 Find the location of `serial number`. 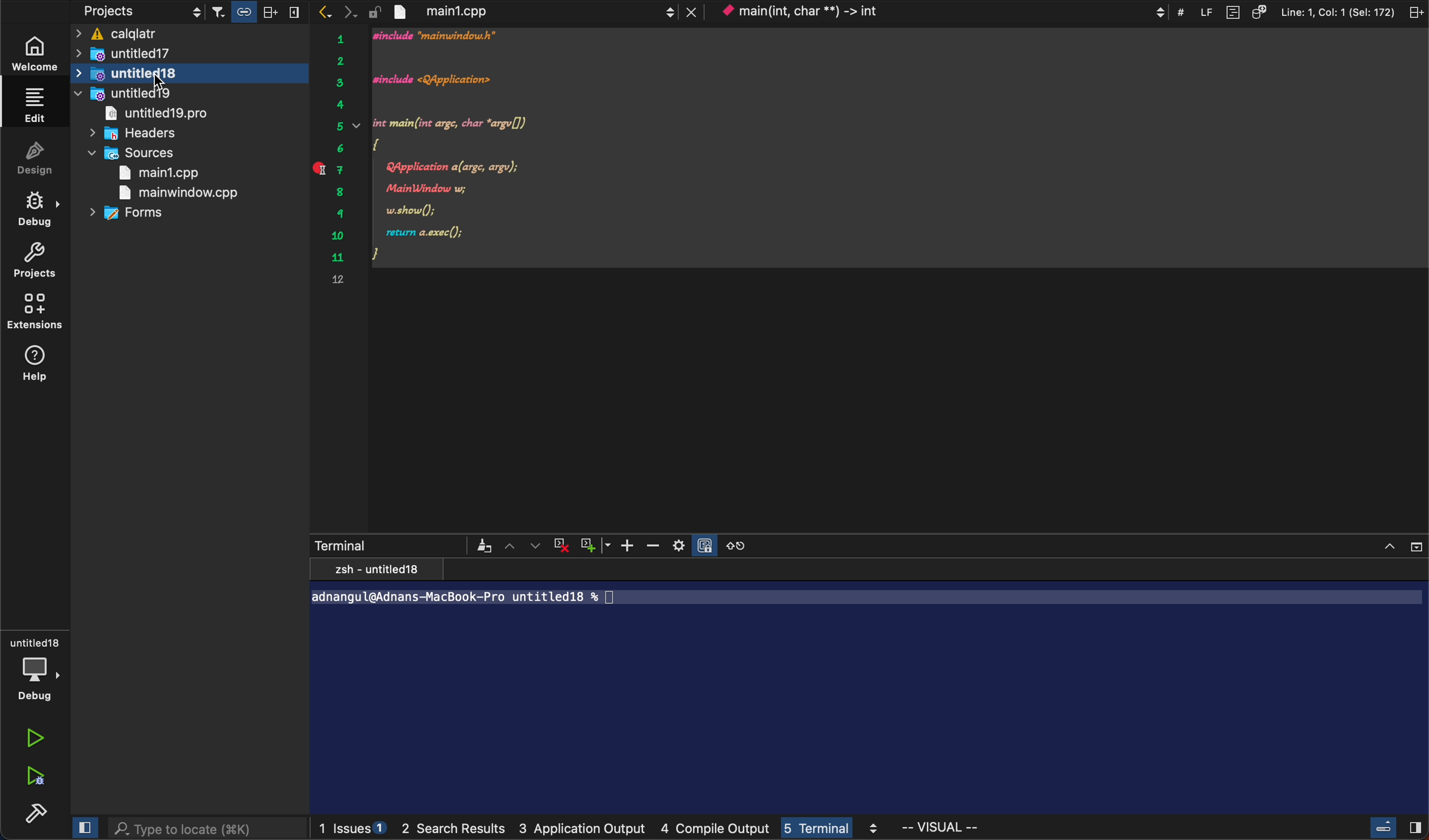

serial number is located at coordinates (343, 83).